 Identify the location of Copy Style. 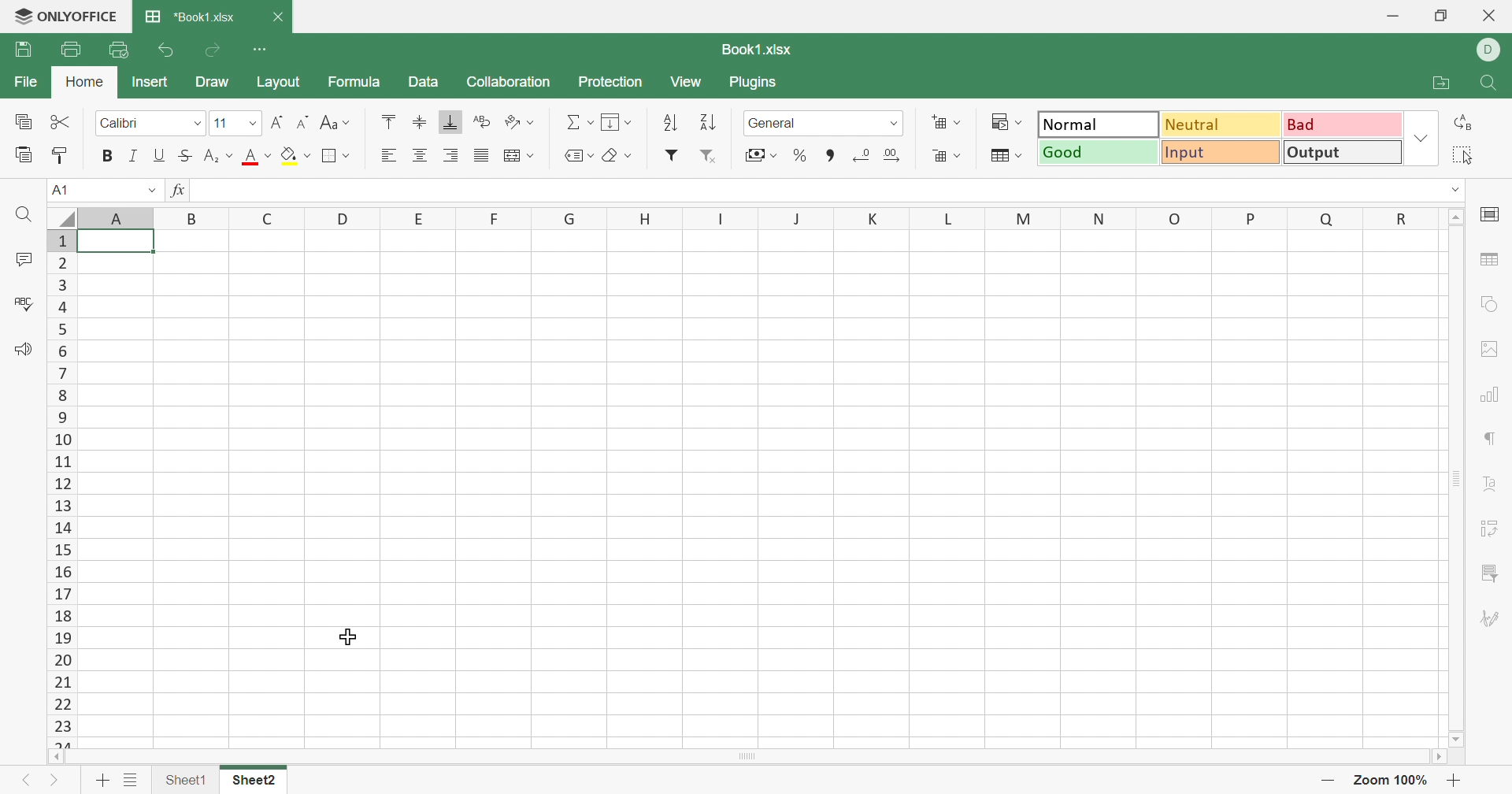
(62, 157).